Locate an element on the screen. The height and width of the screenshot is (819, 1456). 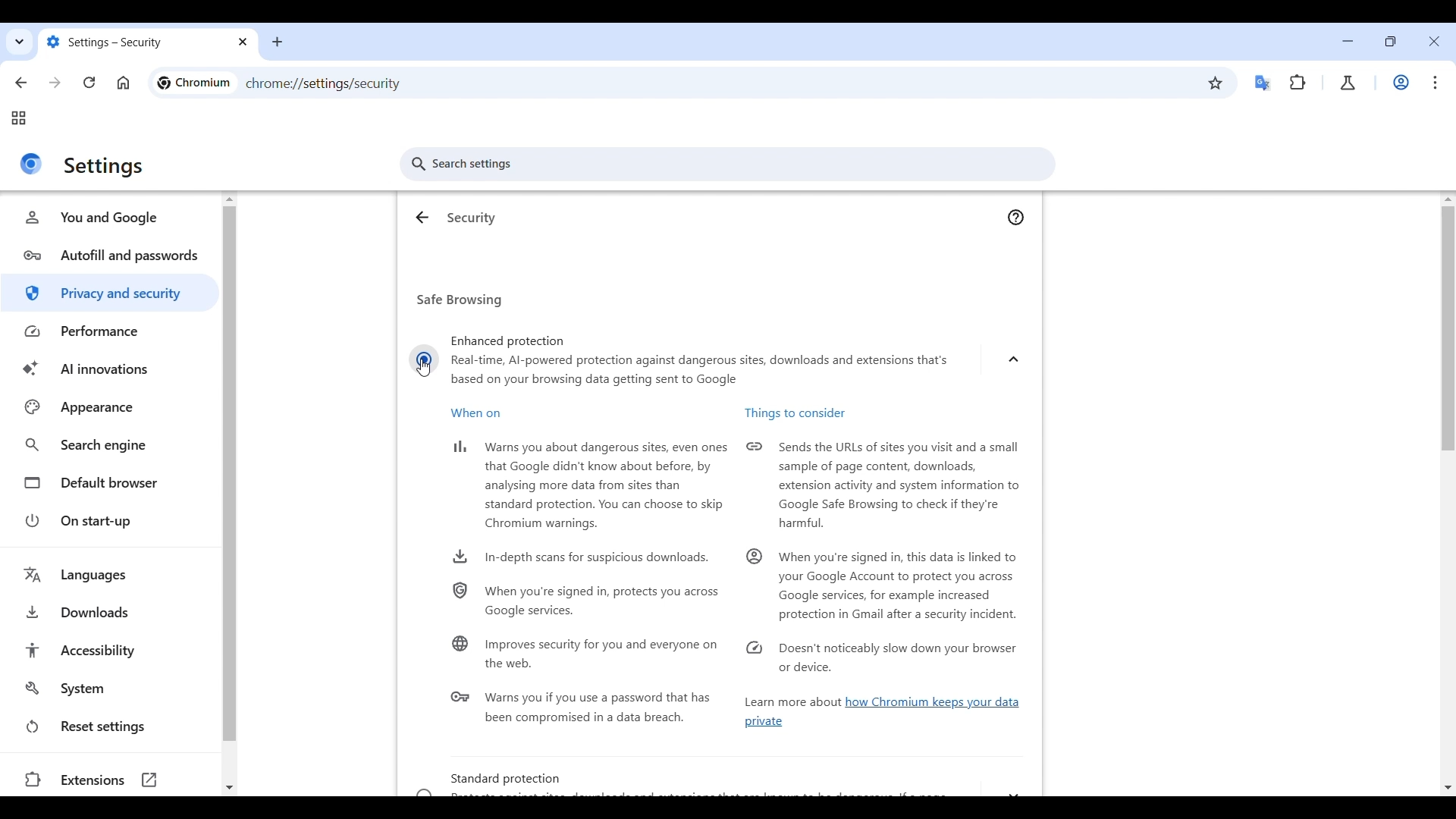
AI innovations is located at coordinates (111, 369).